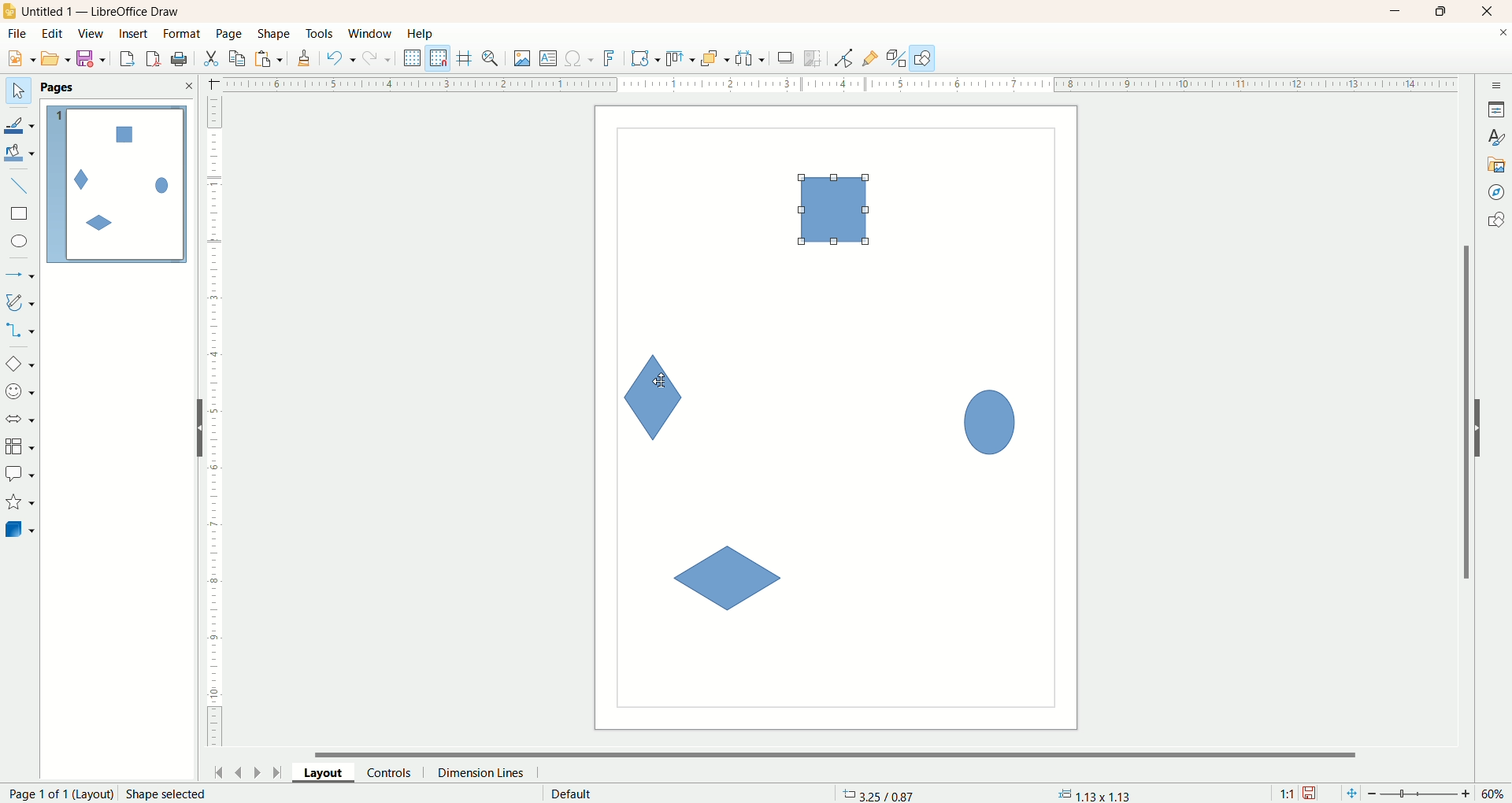 This screenshot has width=1512, height=803. Describe the element at coordinates (1491, 12) in the screenshot. I see `close` at that location.